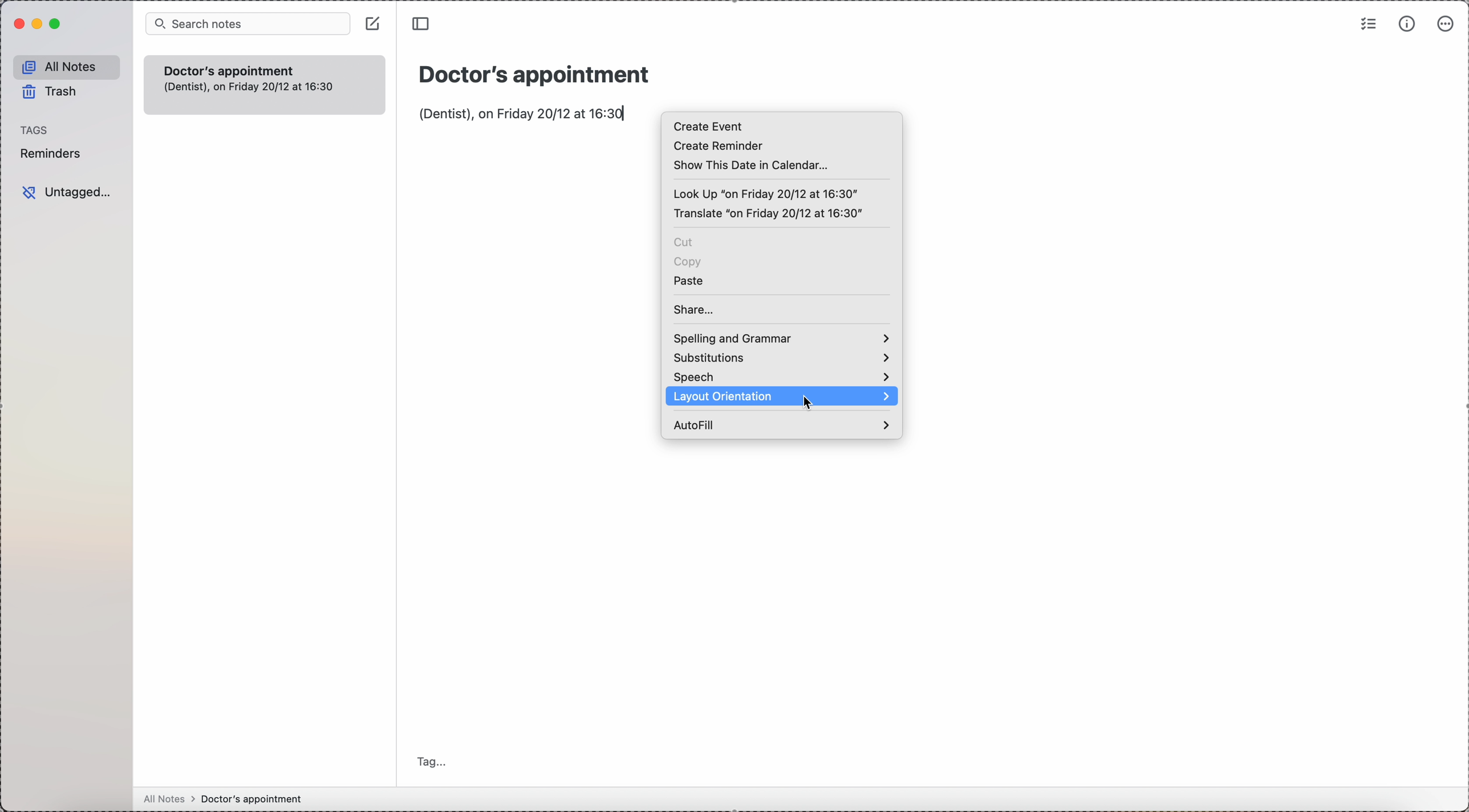  Describe the element at coordinates (57, 25) in the screenshot. I see `maximize Simplenote` at that location.